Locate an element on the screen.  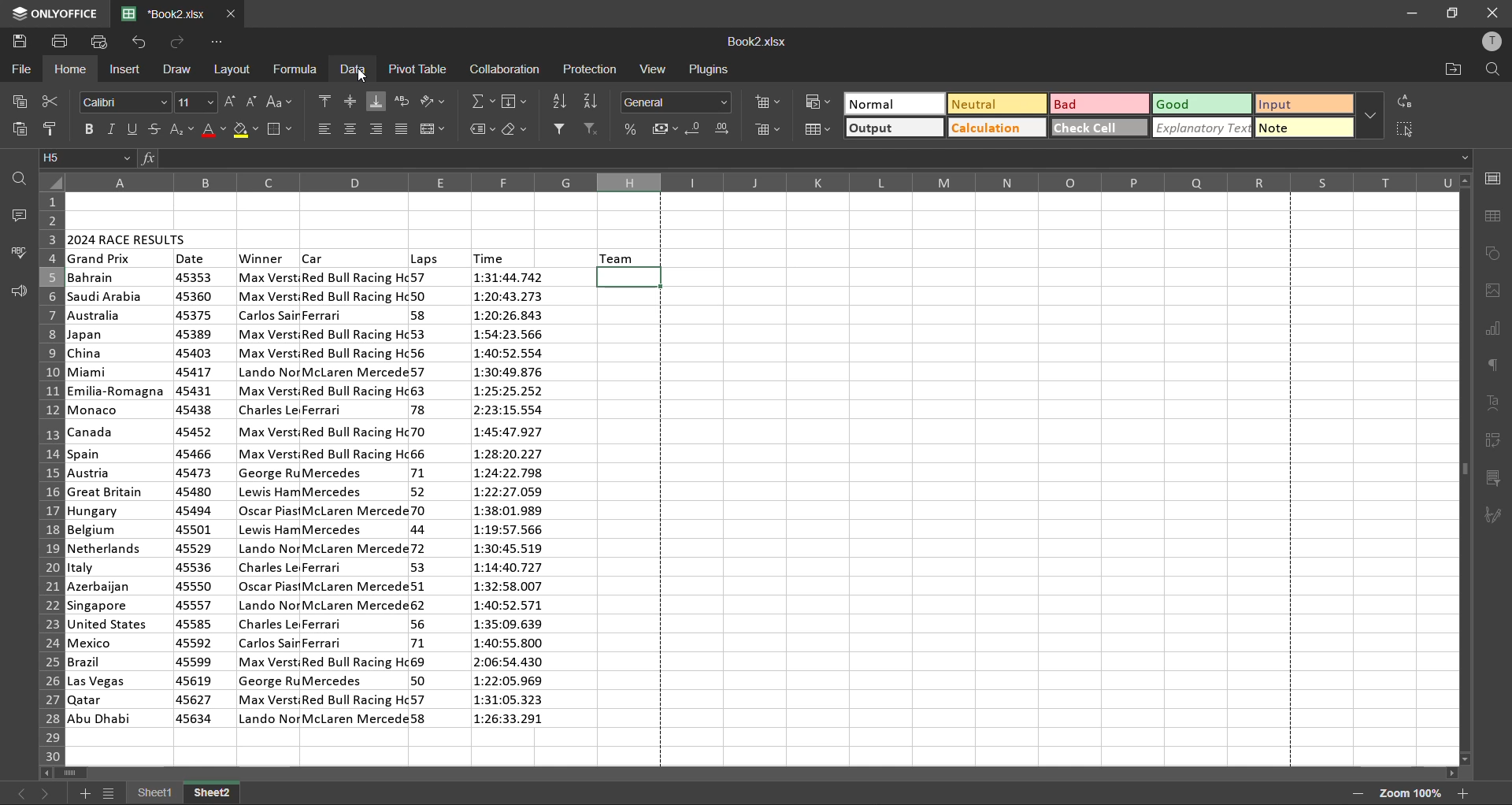
formula bar is located at coordinates (816, 158).